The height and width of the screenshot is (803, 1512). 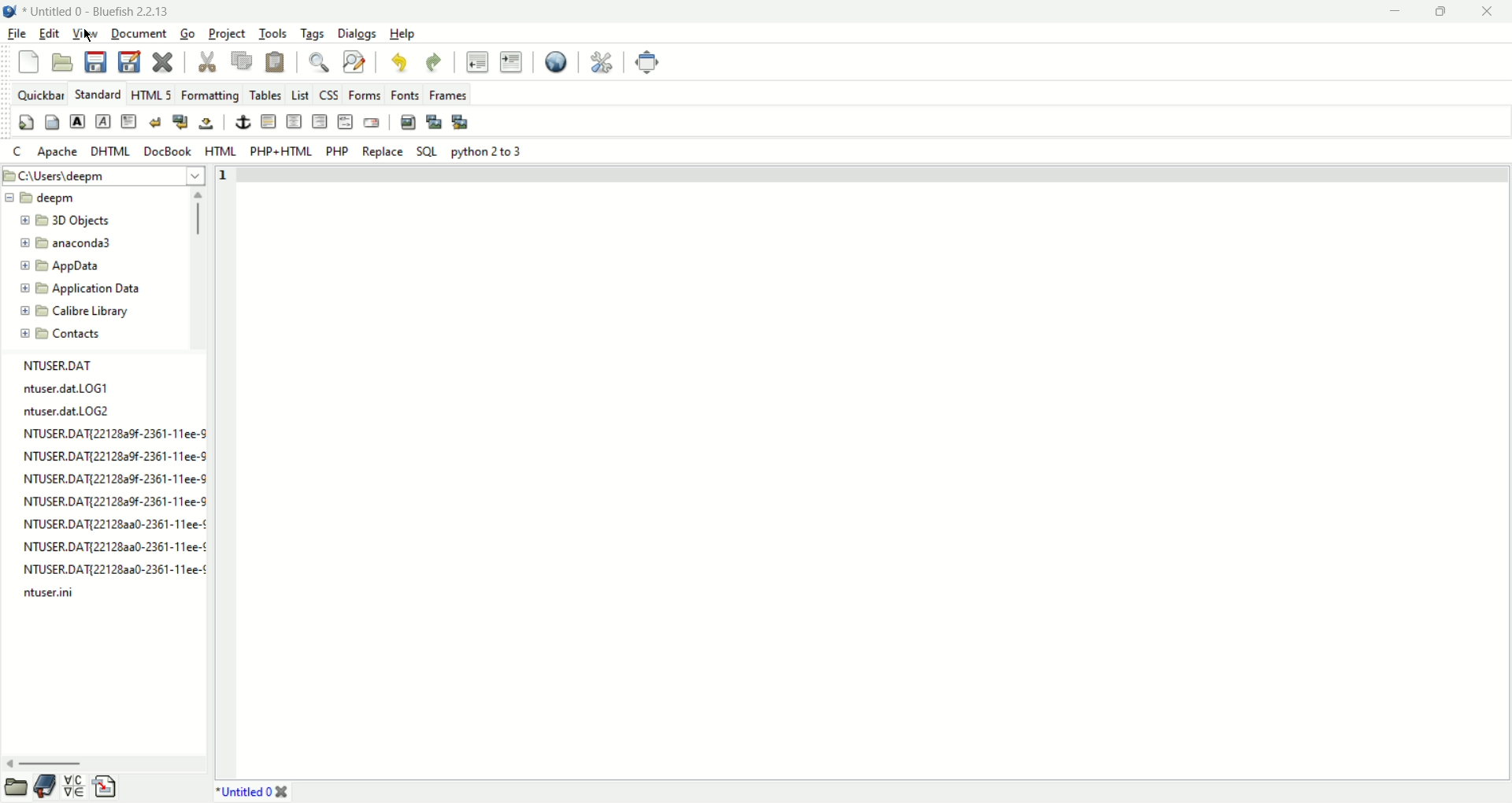 I want to click on new folder, so click(x=69, y=264).